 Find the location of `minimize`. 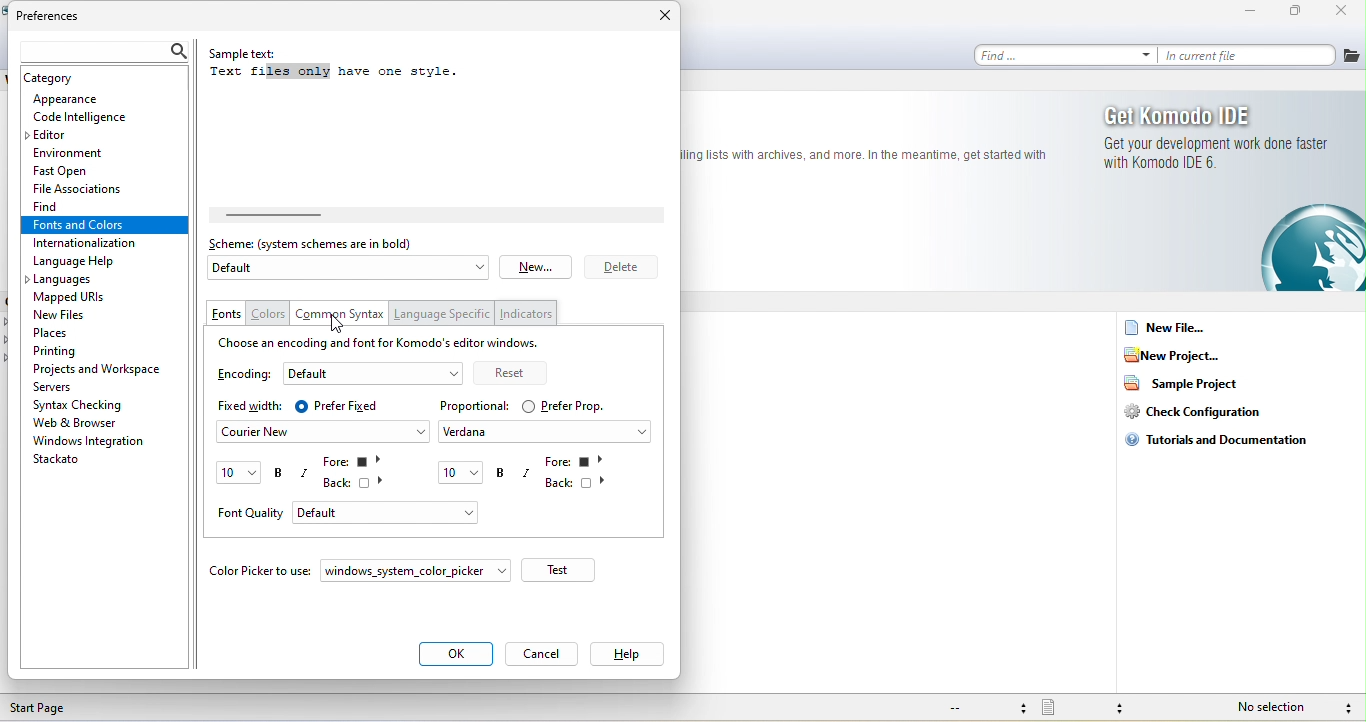

minimize is located at coordinates (1235, 11).